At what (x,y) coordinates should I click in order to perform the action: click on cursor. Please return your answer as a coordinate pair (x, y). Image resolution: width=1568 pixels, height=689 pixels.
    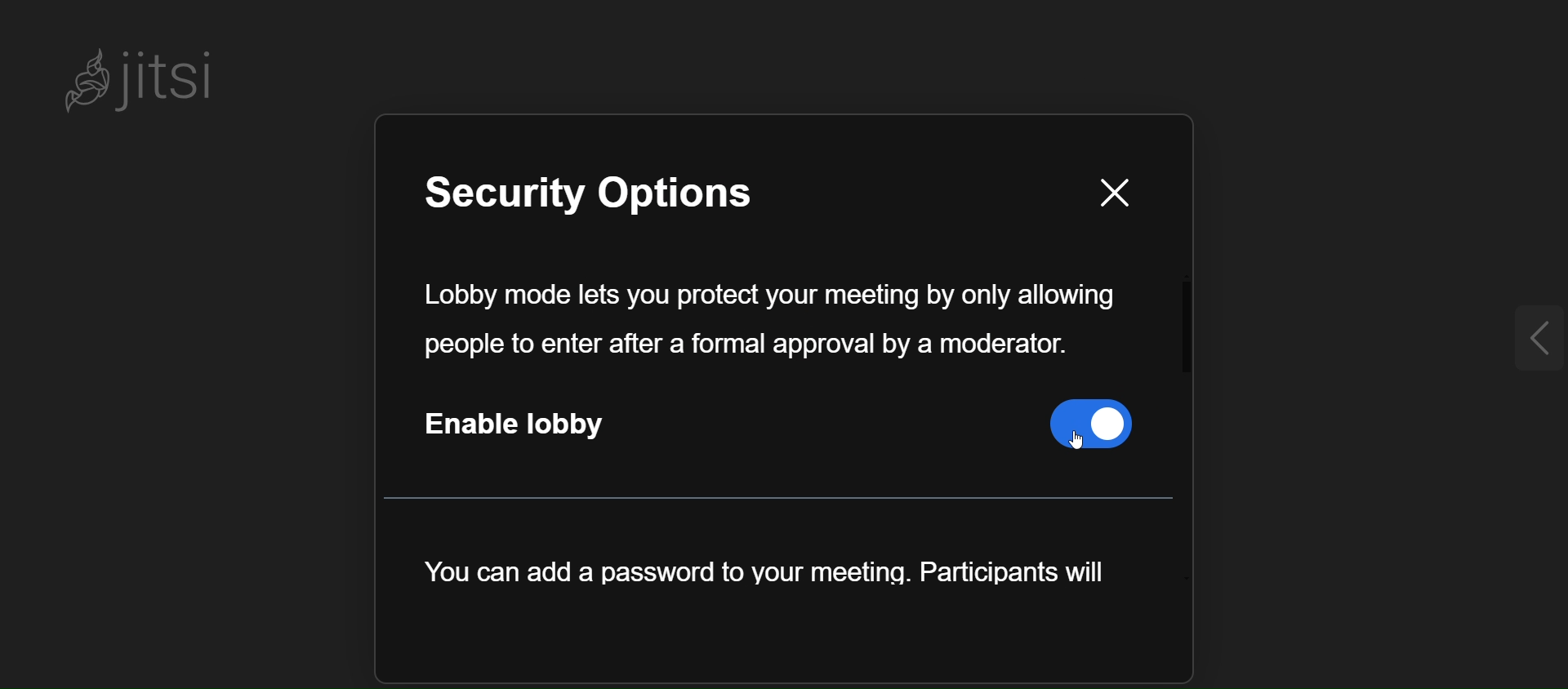
    Looking at the image, I should click on (1106, 442).